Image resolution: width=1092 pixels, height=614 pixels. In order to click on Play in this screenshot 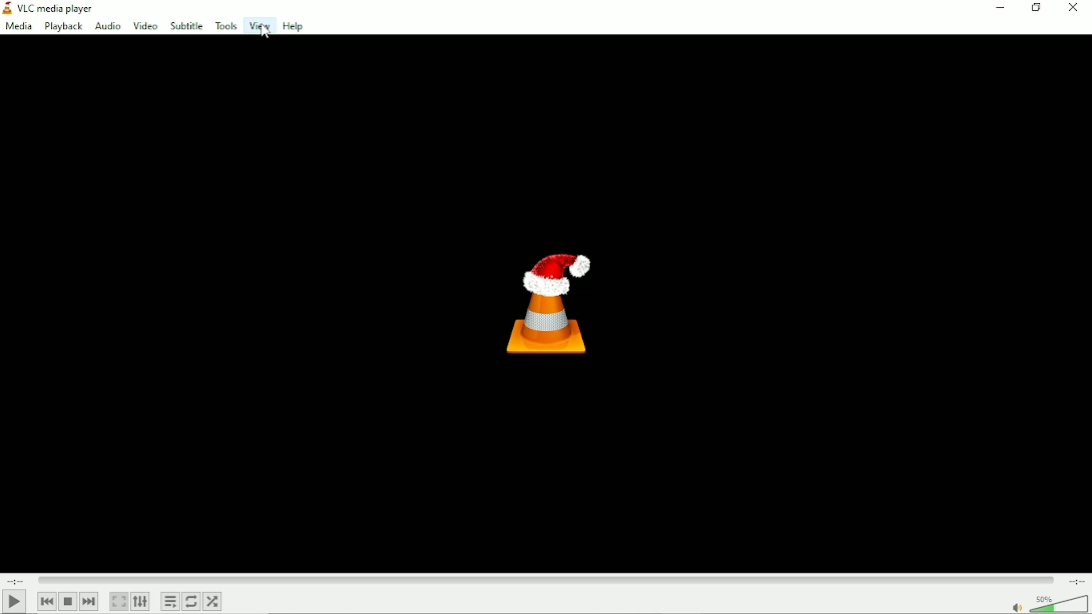, I will do `click(14, 602)`.